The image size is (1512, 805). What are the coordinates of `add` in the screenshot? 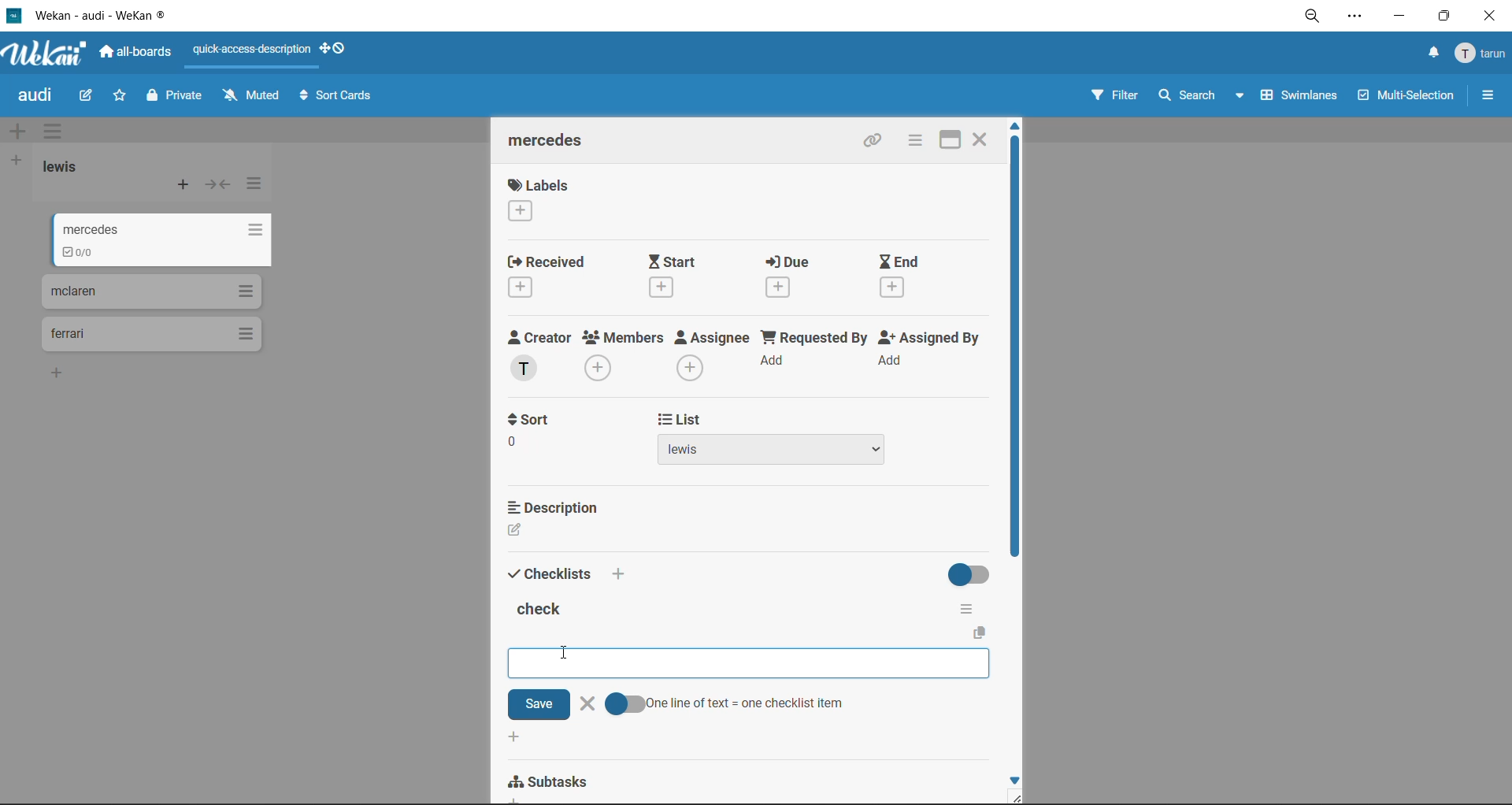 It's located at (624, 576).